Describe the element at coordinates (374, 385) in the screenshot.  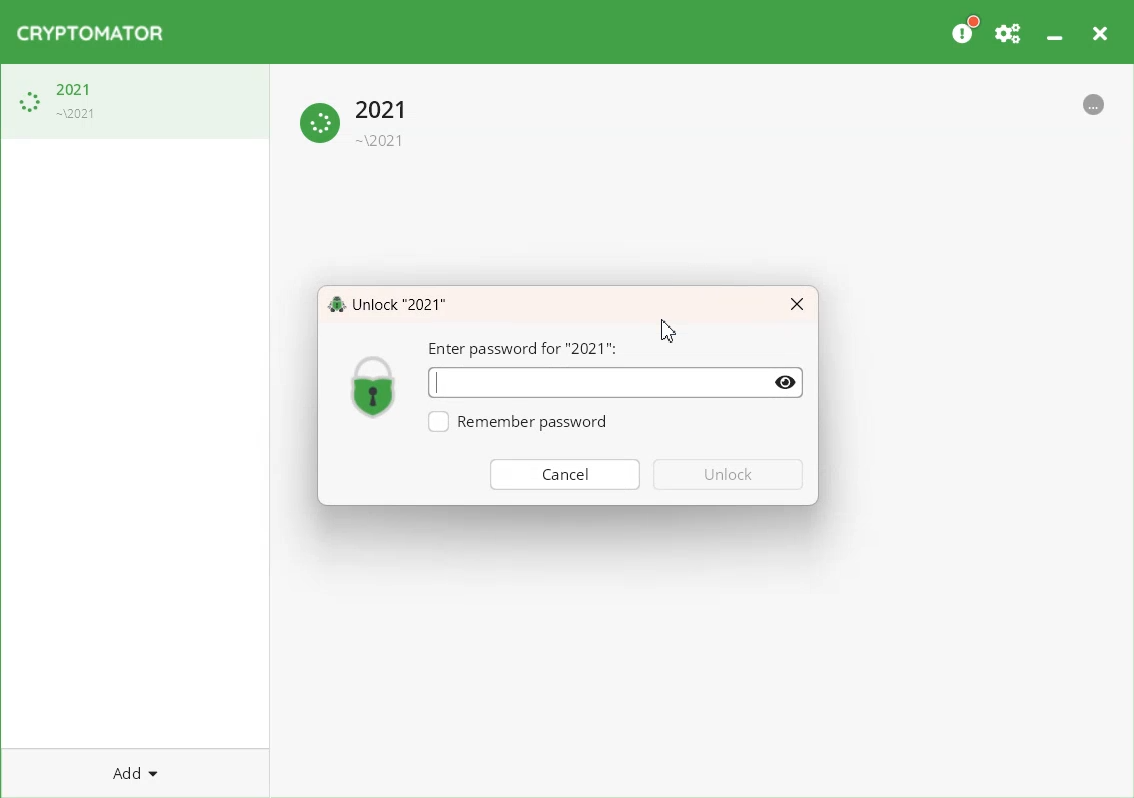
I see `Logo` at that location.